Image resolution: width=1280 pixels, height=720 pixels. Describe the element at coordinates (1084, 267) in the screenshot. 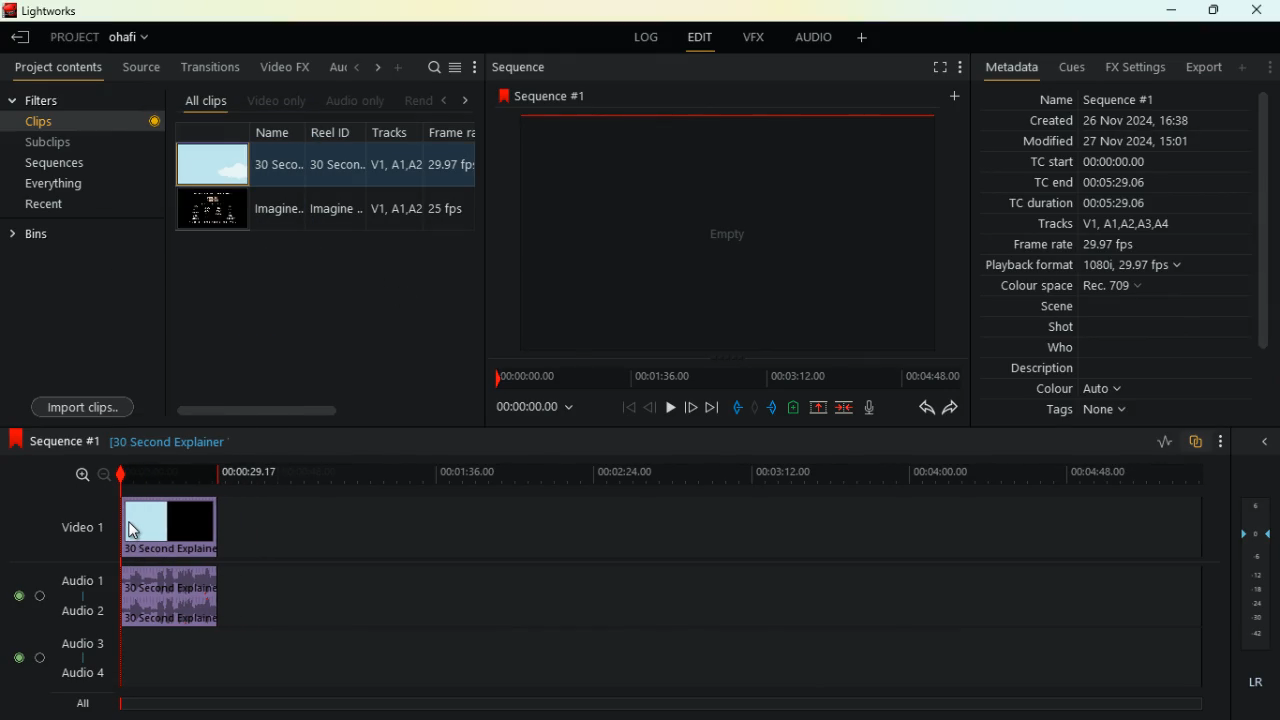

I see `playback format 1080i, 29.97 fps` at that location.